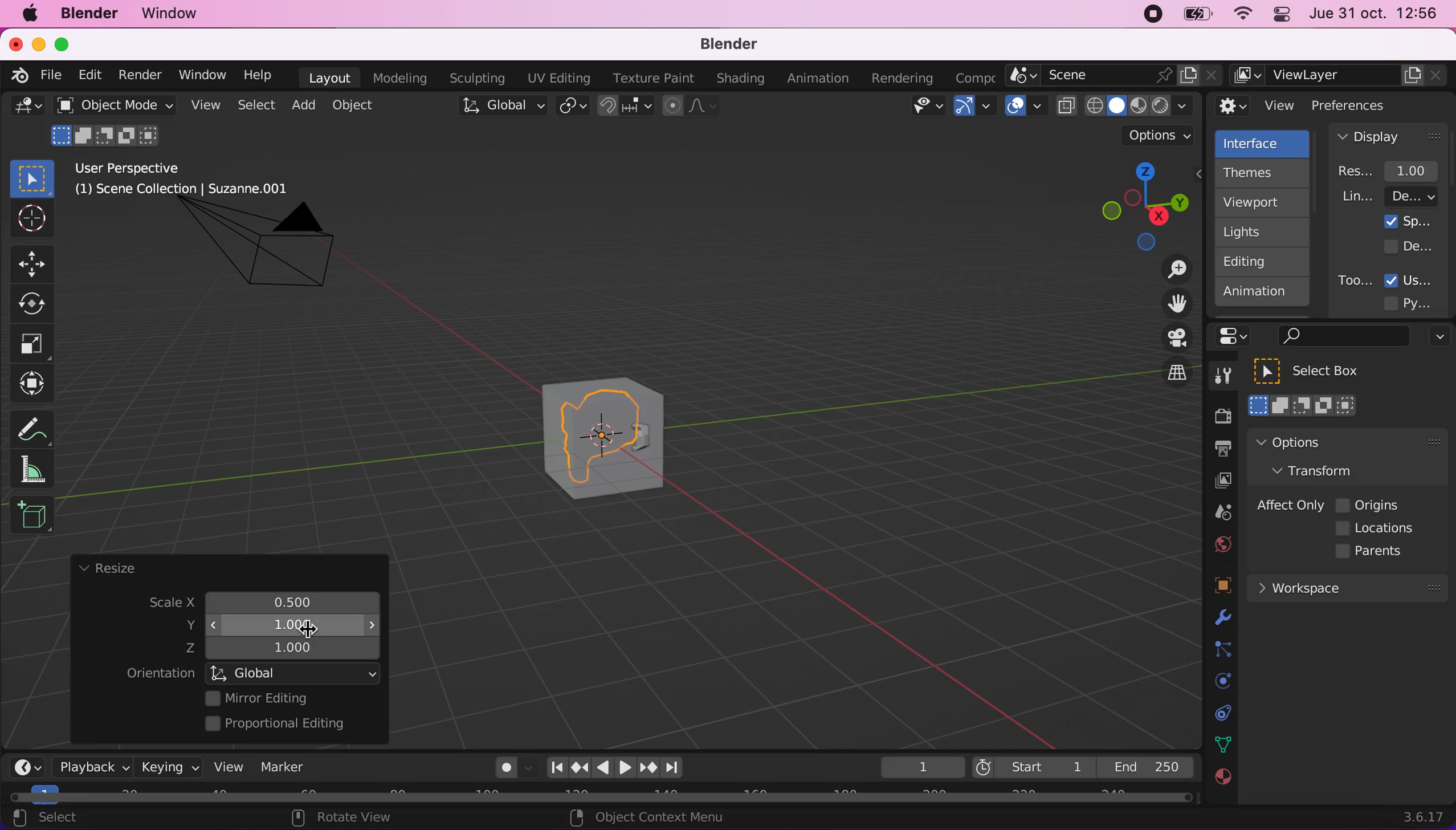 The height and width of the screenshot is (830, 1456). Describe the element at coordinates (289, 698) in the screenshot. I see `mirror editing` at that location.